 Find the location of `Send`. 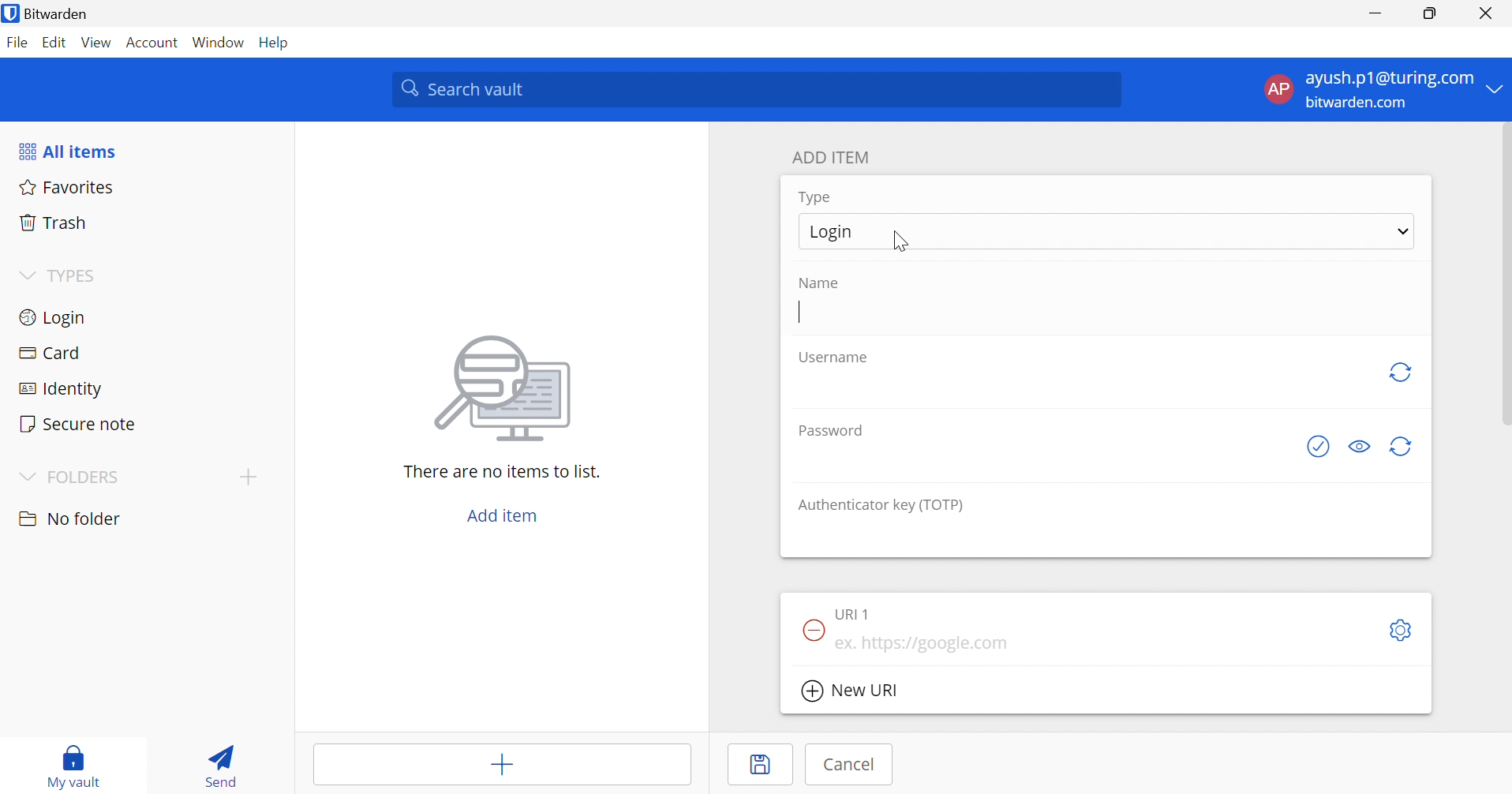

Send is located at coordinates (219, 769).